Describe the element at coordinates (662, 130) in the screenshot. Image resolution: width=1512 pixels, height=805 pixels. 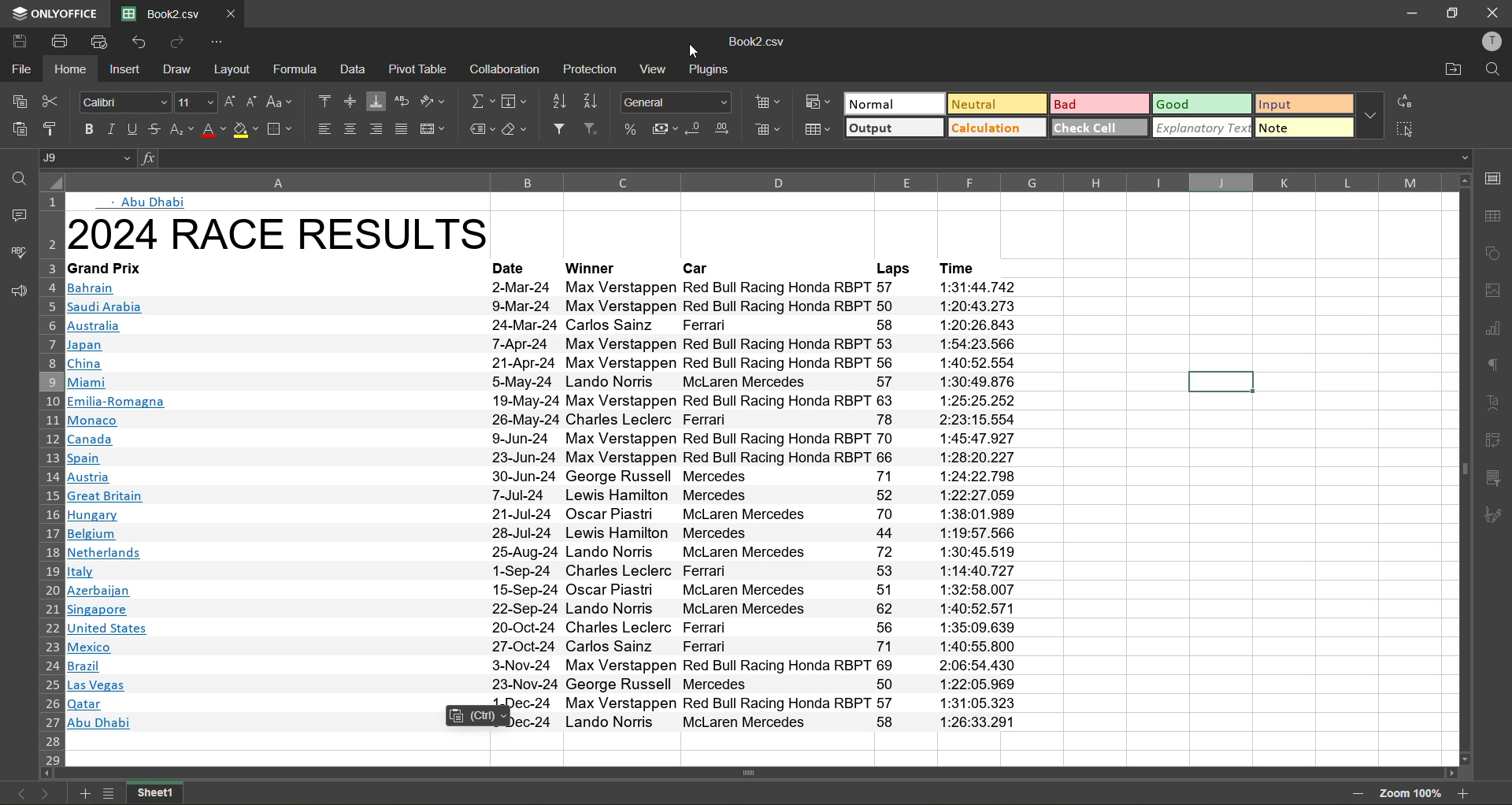
I see `accounting` at that location.